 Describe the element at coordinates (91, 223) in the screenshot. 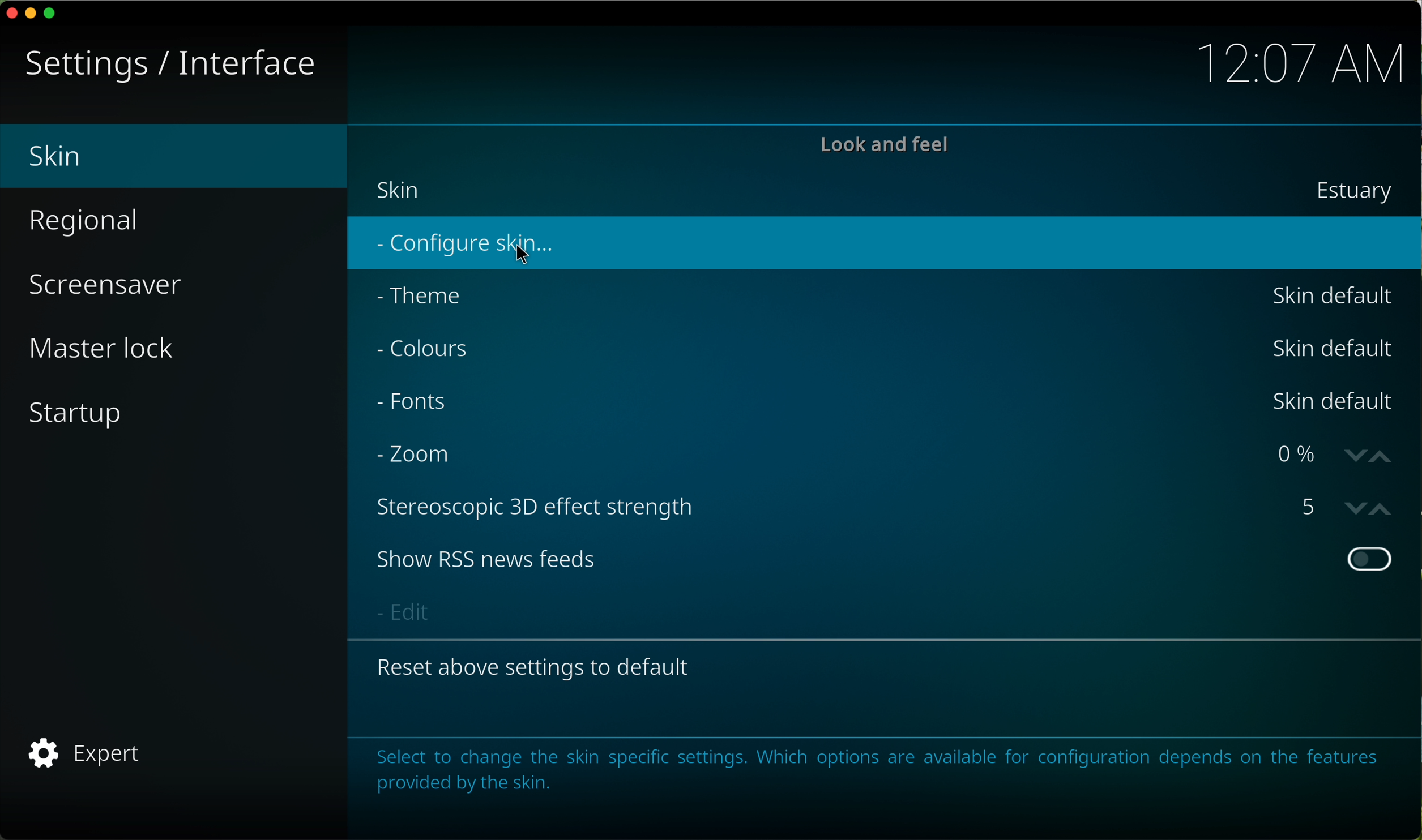

I see `regional` at that location.